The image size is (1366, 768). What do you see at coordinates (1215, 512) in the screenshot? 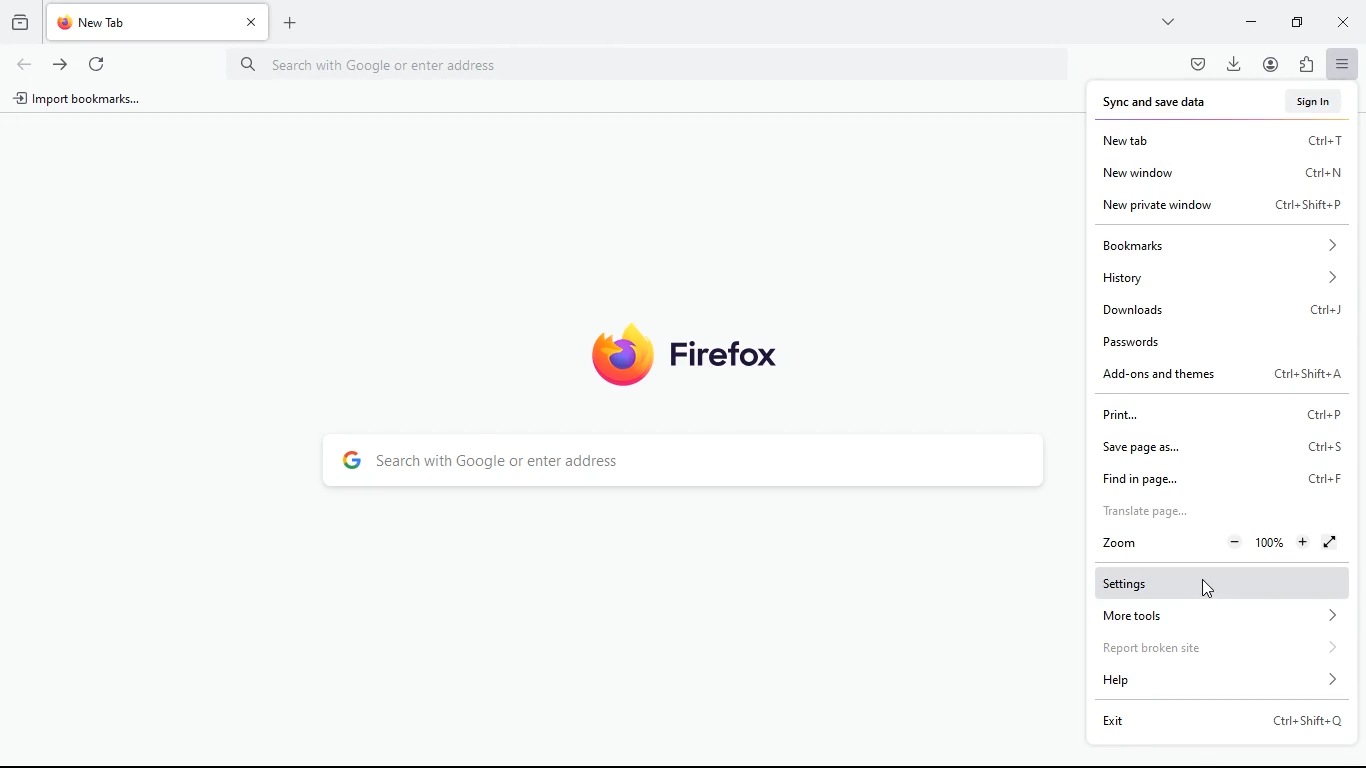
I see `translate page` at bounding box center [1215, 512].